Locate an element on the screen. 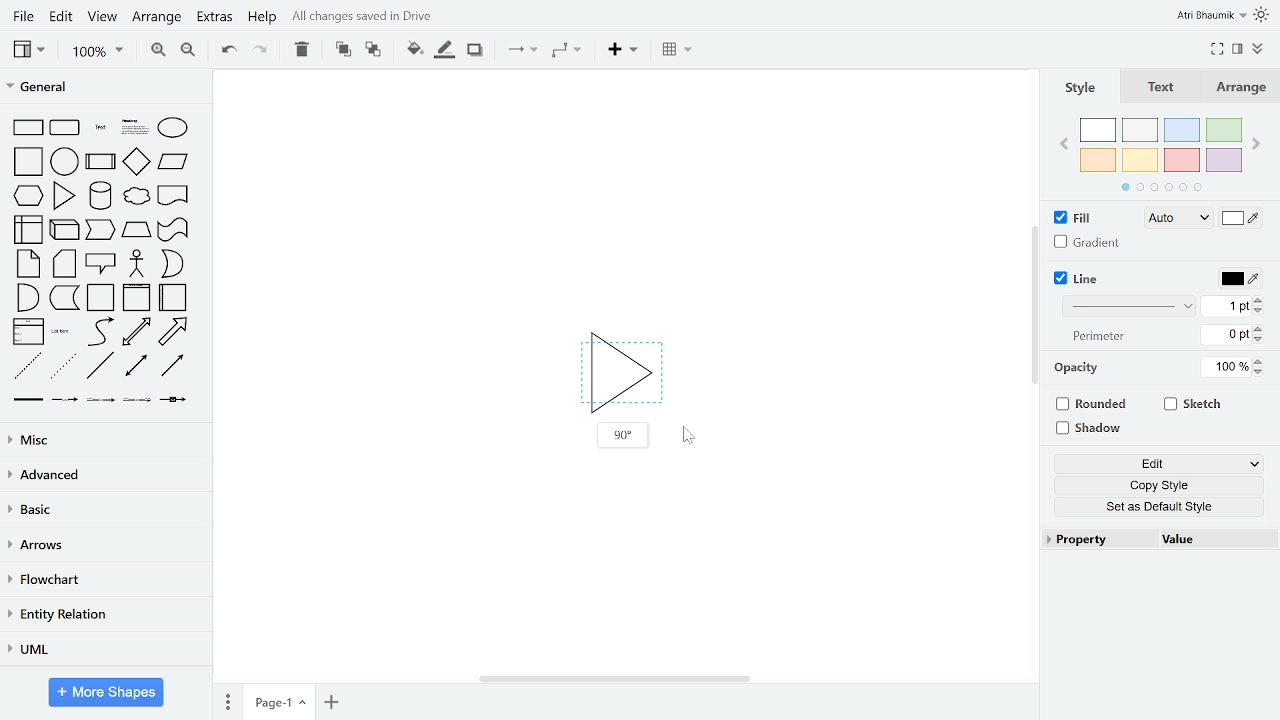  decrease opacity is located at coordinates (1262, 373).